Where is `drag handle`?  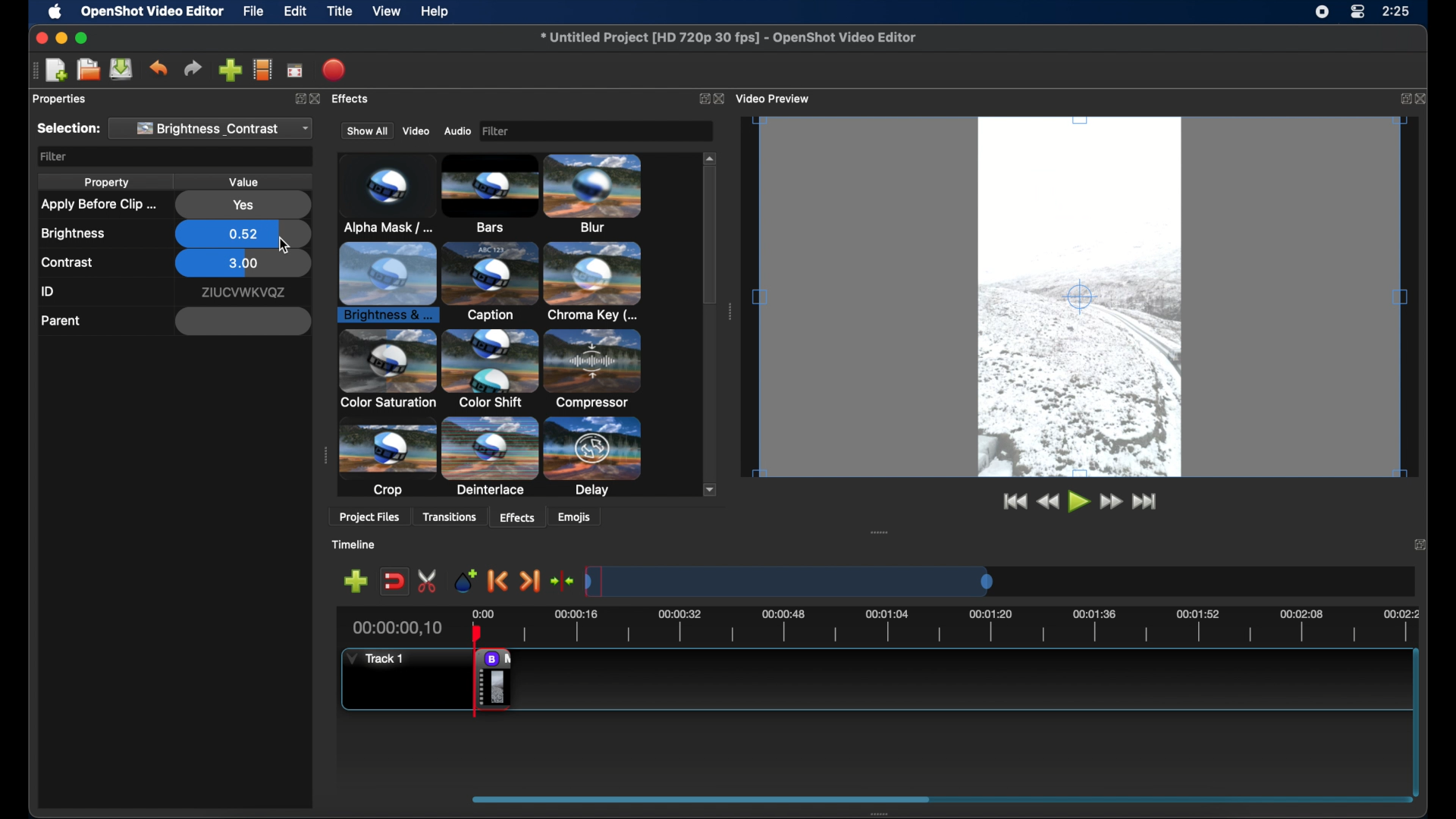
drag handle is located at coordinates (730, 310).